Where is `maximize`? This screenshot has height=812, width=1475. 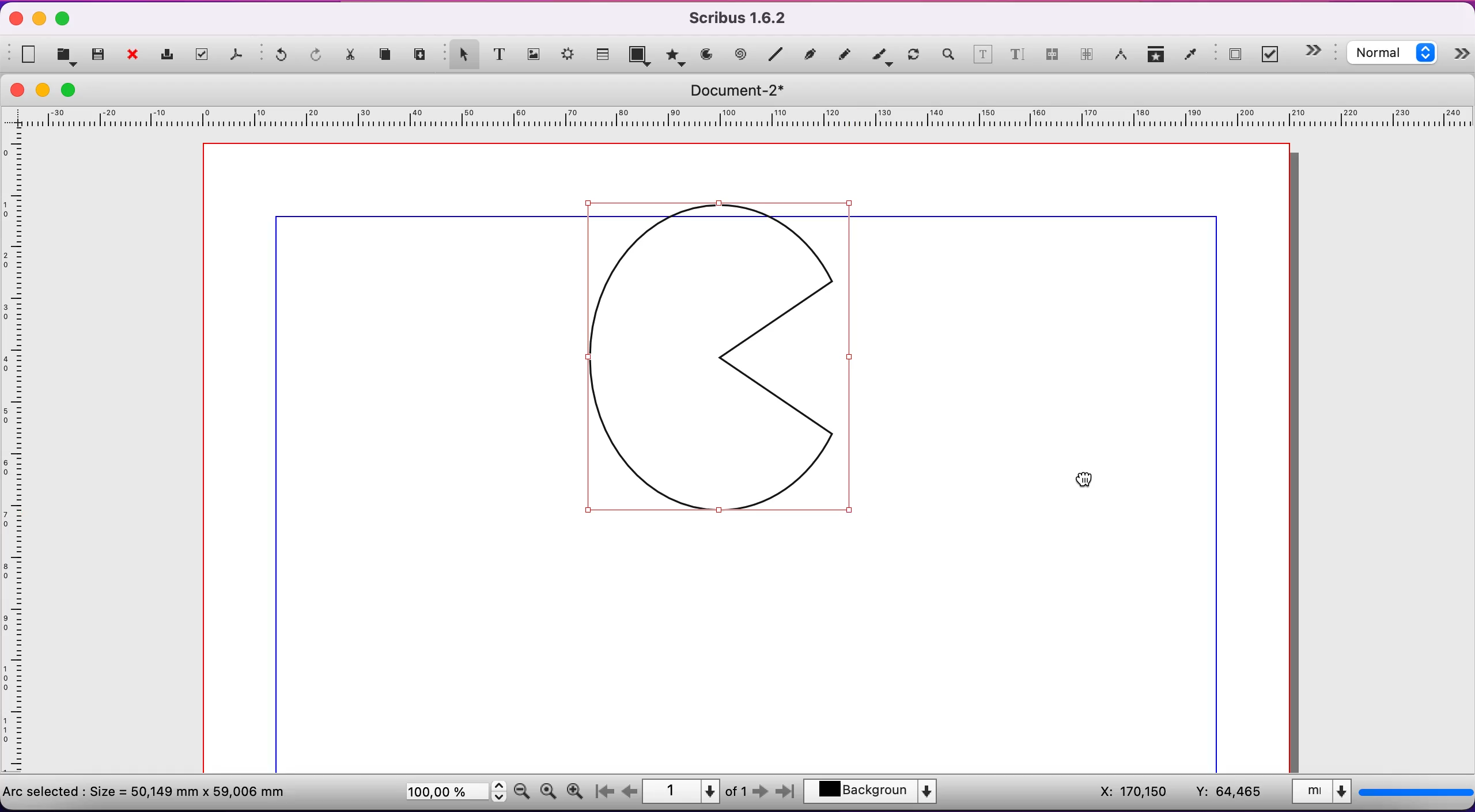 maximize is located at coordinates (63, 20).